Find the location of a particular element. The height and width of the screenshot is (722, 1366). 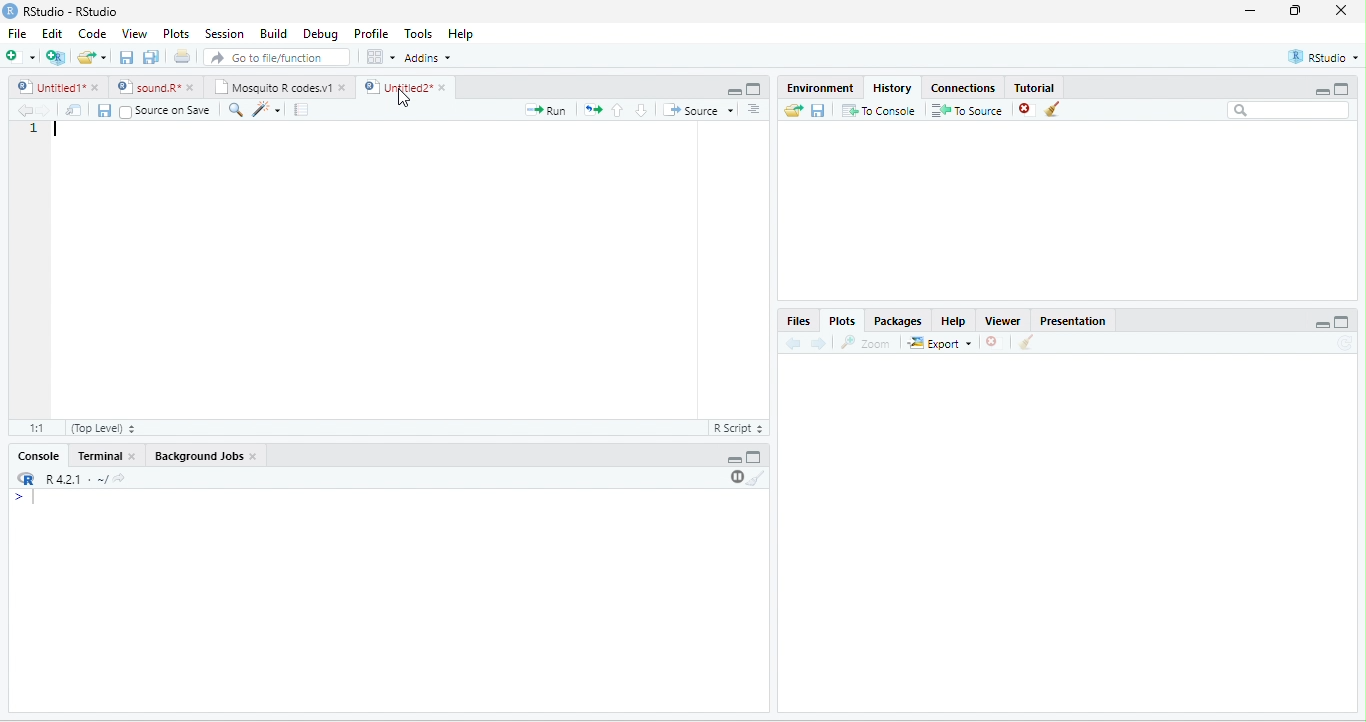

search is located at coordinates (234, 110).